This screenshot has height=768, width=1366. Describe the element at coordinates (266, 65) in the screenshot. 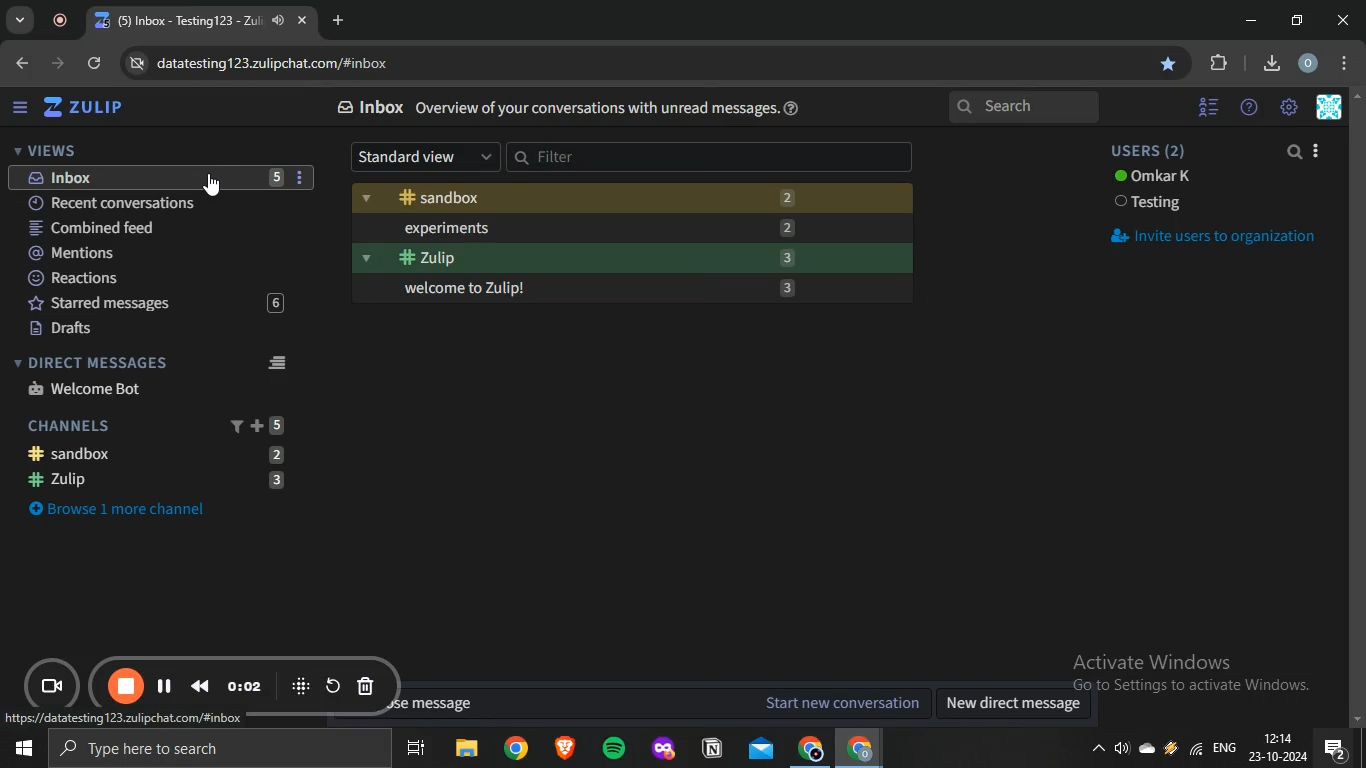

I see `datatesting123.zulipchat.com/#inbox` at that location.